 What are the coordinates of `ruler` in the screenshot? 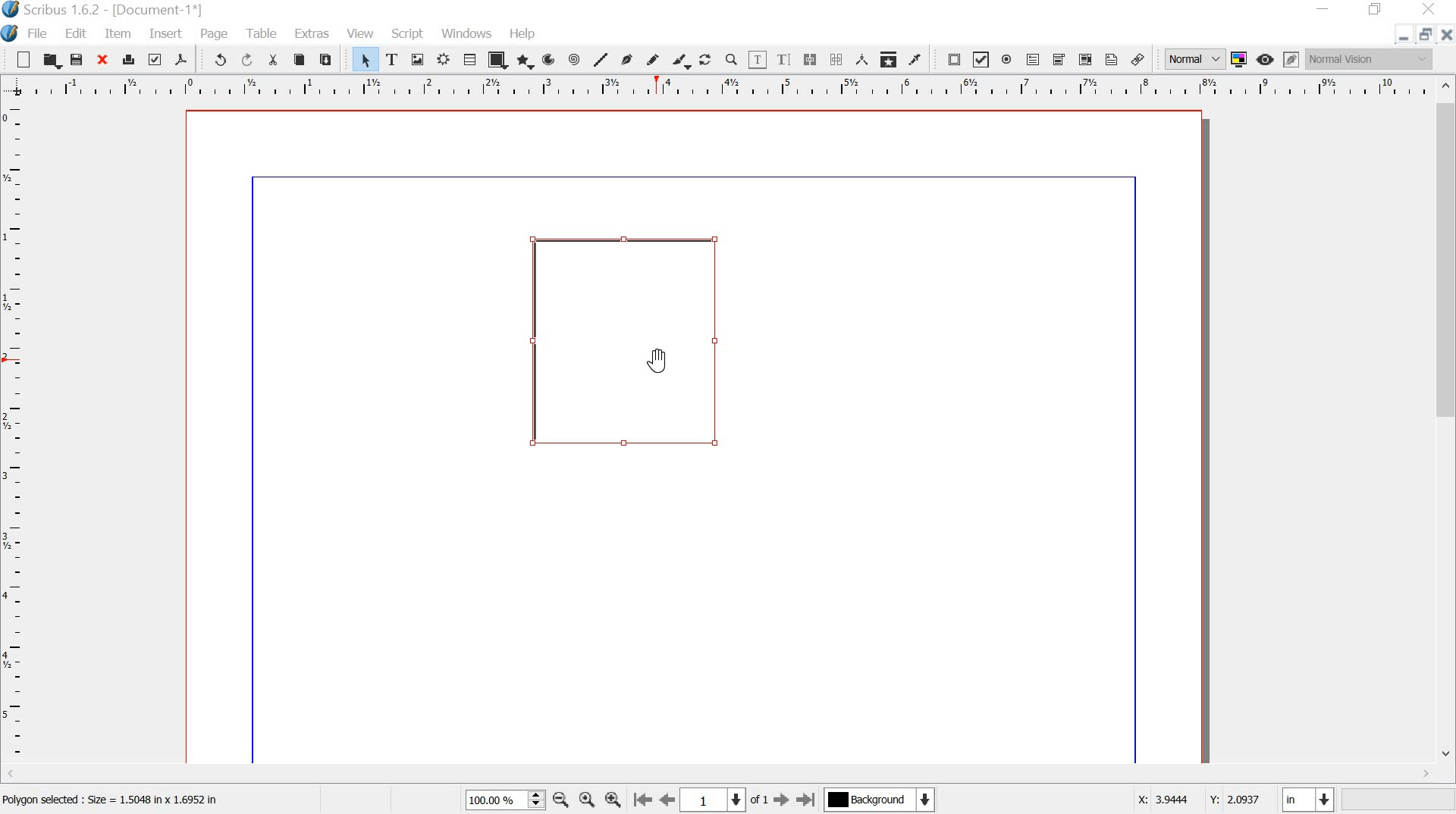 It's located at (717, 86).